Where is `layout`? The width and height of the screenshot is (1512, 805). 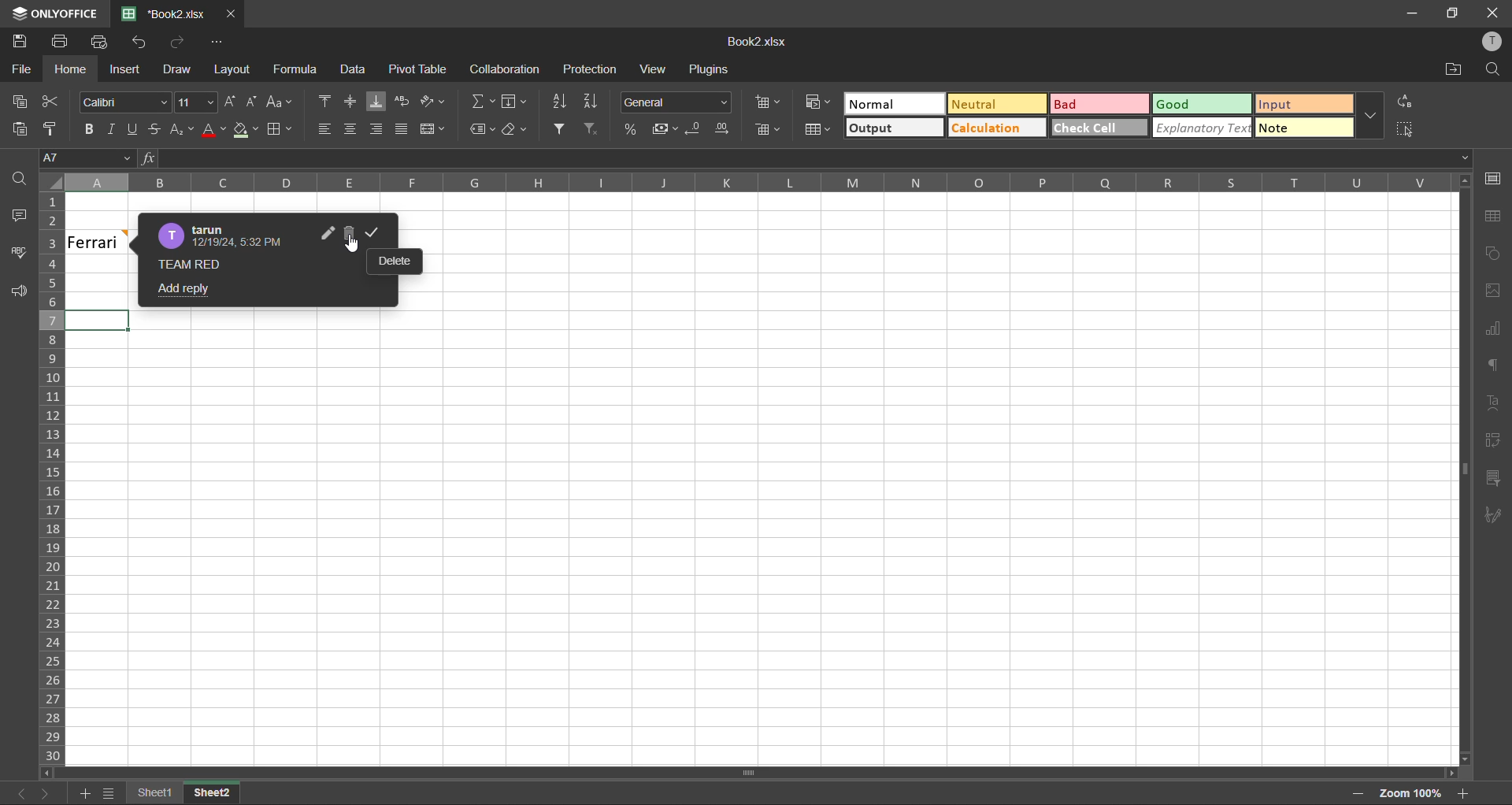 layout is located at coordinates (232, 72).